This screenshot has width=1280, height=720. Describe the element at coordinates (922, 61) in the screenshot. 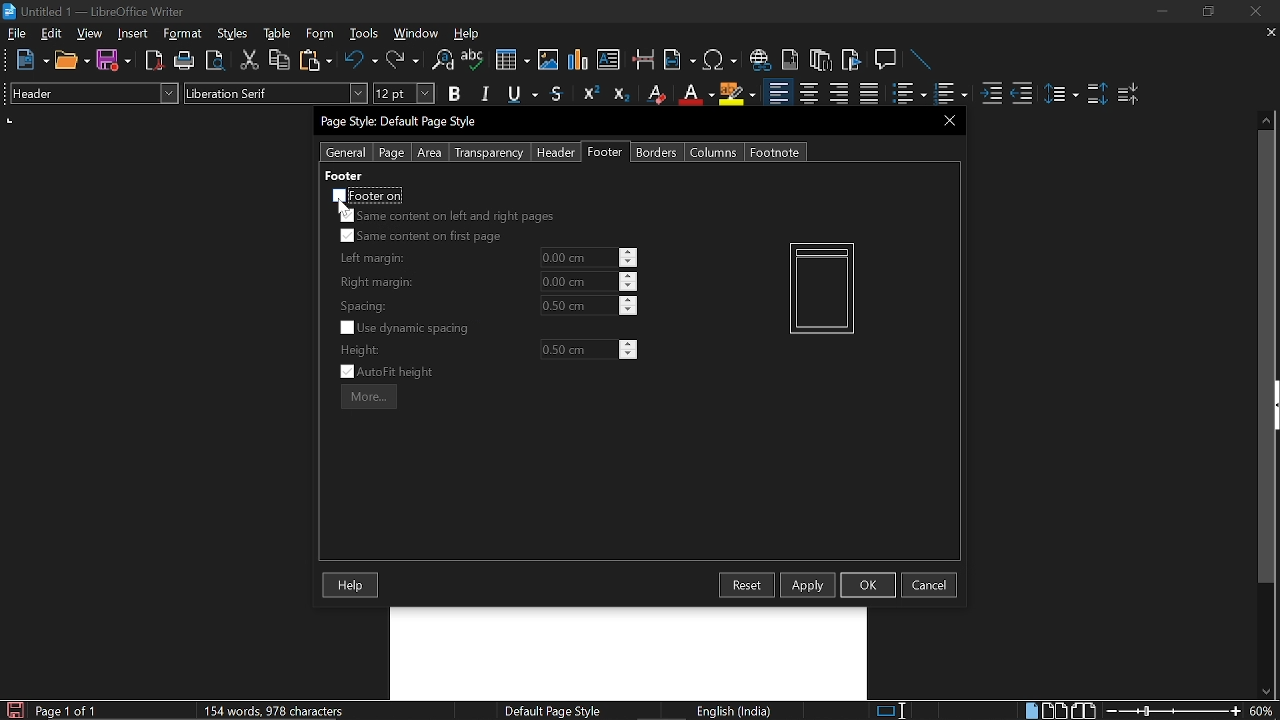

I see `Line` at that location.